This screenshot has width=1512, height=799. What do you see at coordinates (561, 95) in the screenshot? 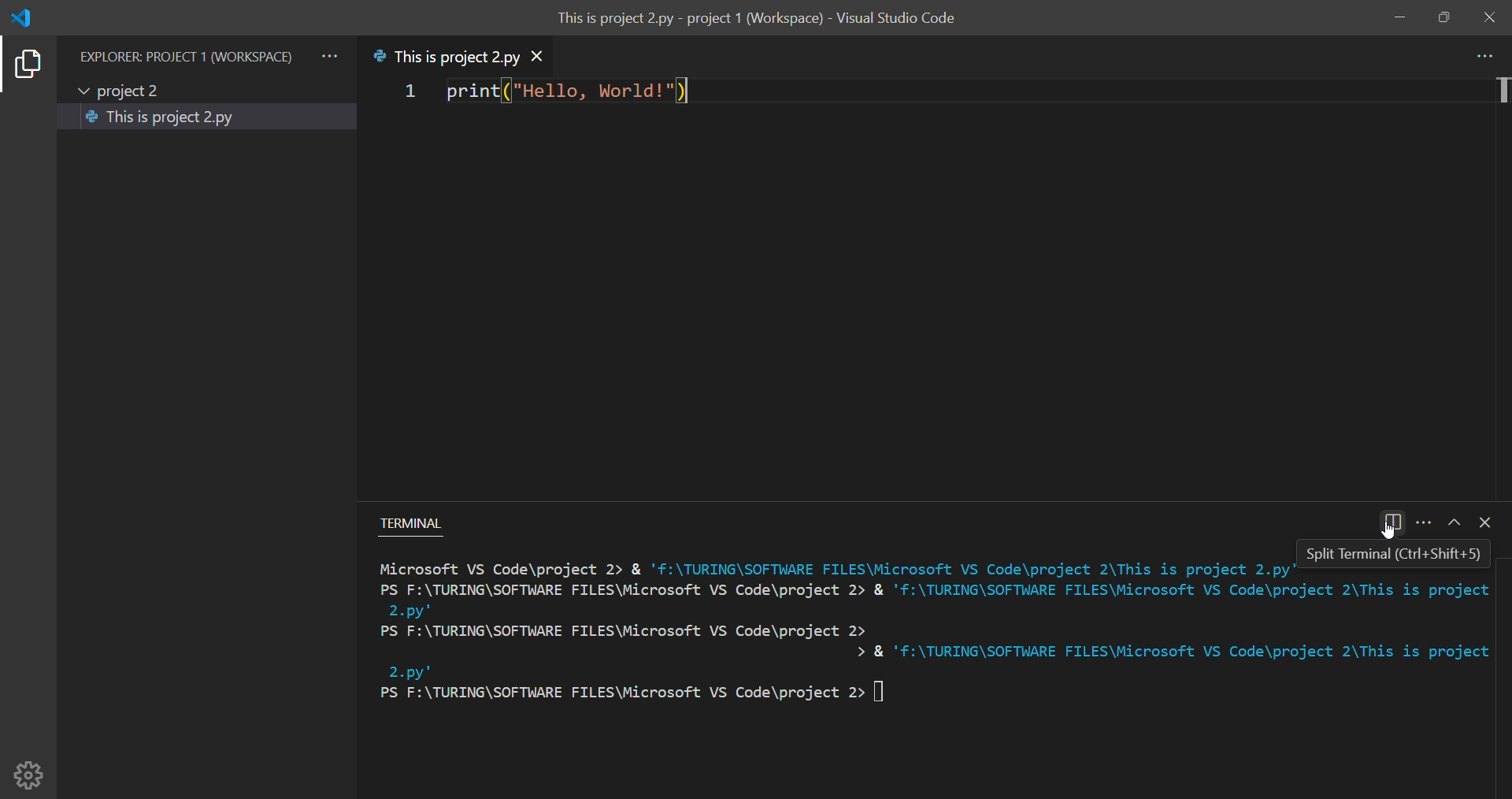
I see `print|("Hello, World!")` at bounding box center [561, 95].